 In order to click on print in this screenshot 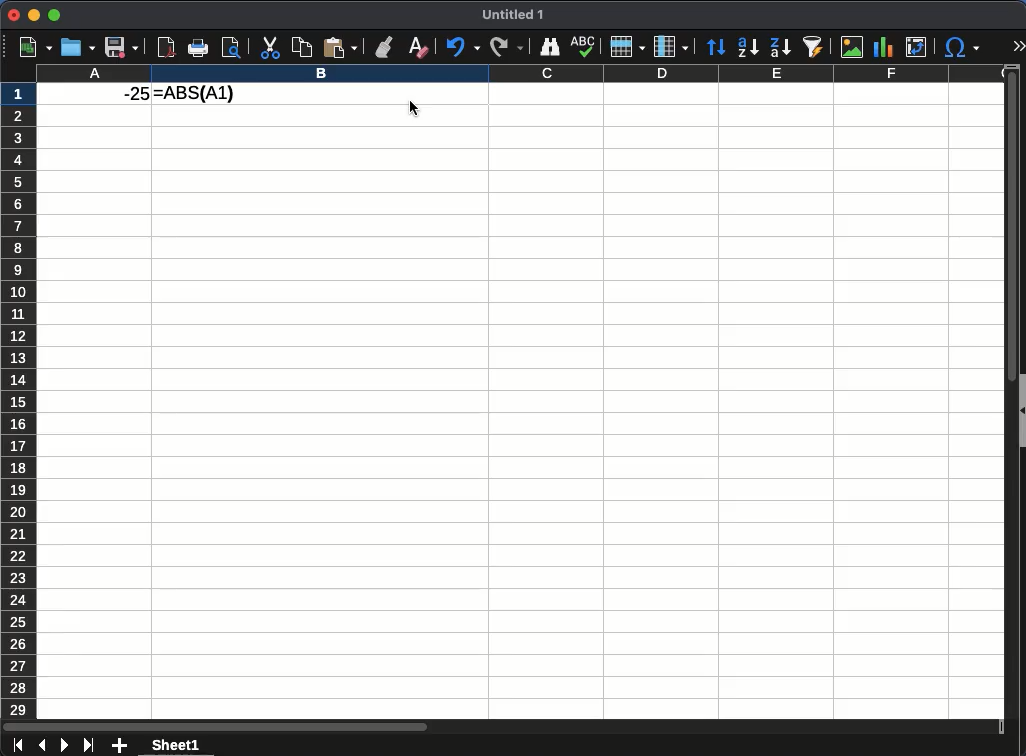, I will do `click(199, 48)`.